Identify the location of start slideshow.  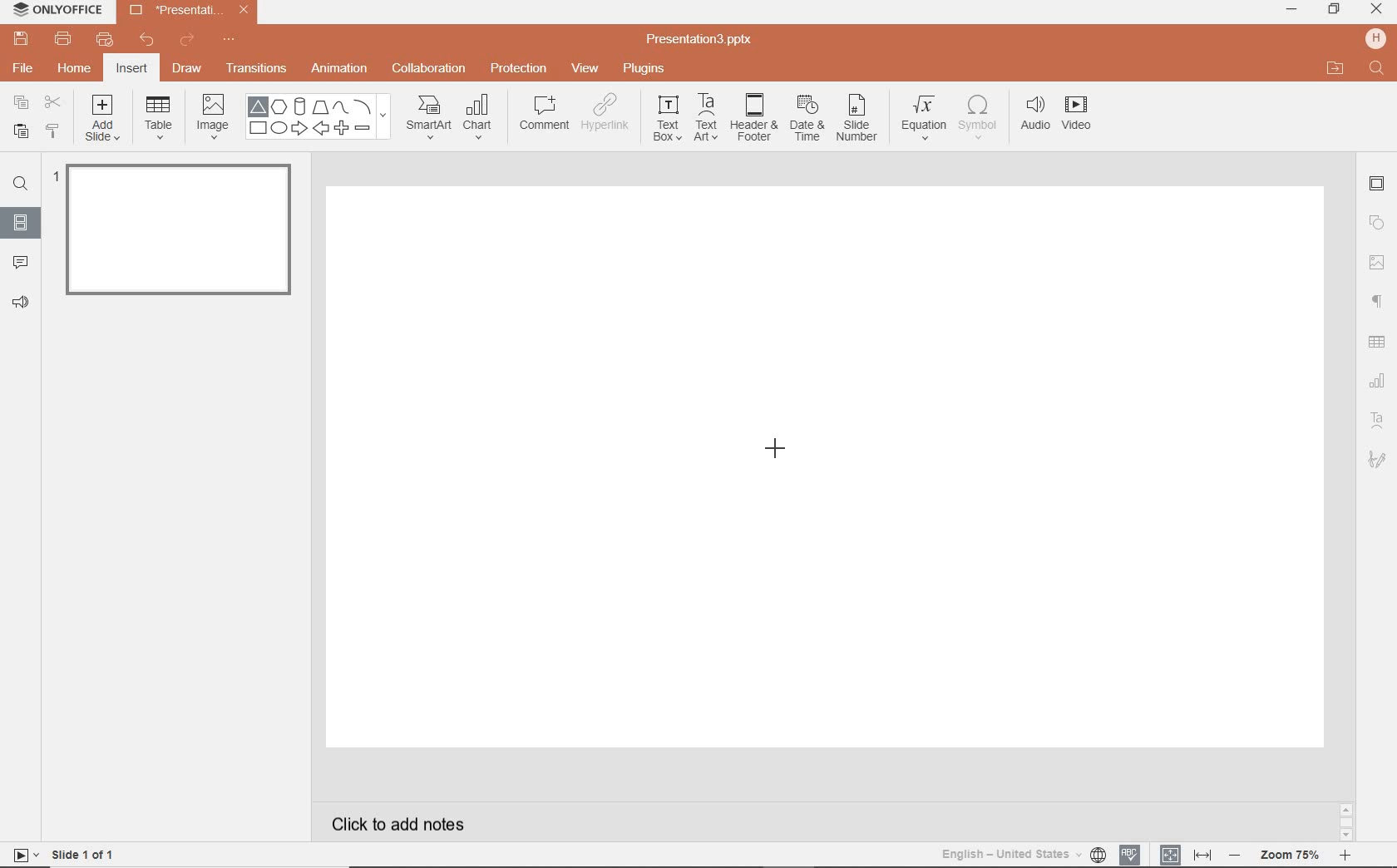
(20, 857).